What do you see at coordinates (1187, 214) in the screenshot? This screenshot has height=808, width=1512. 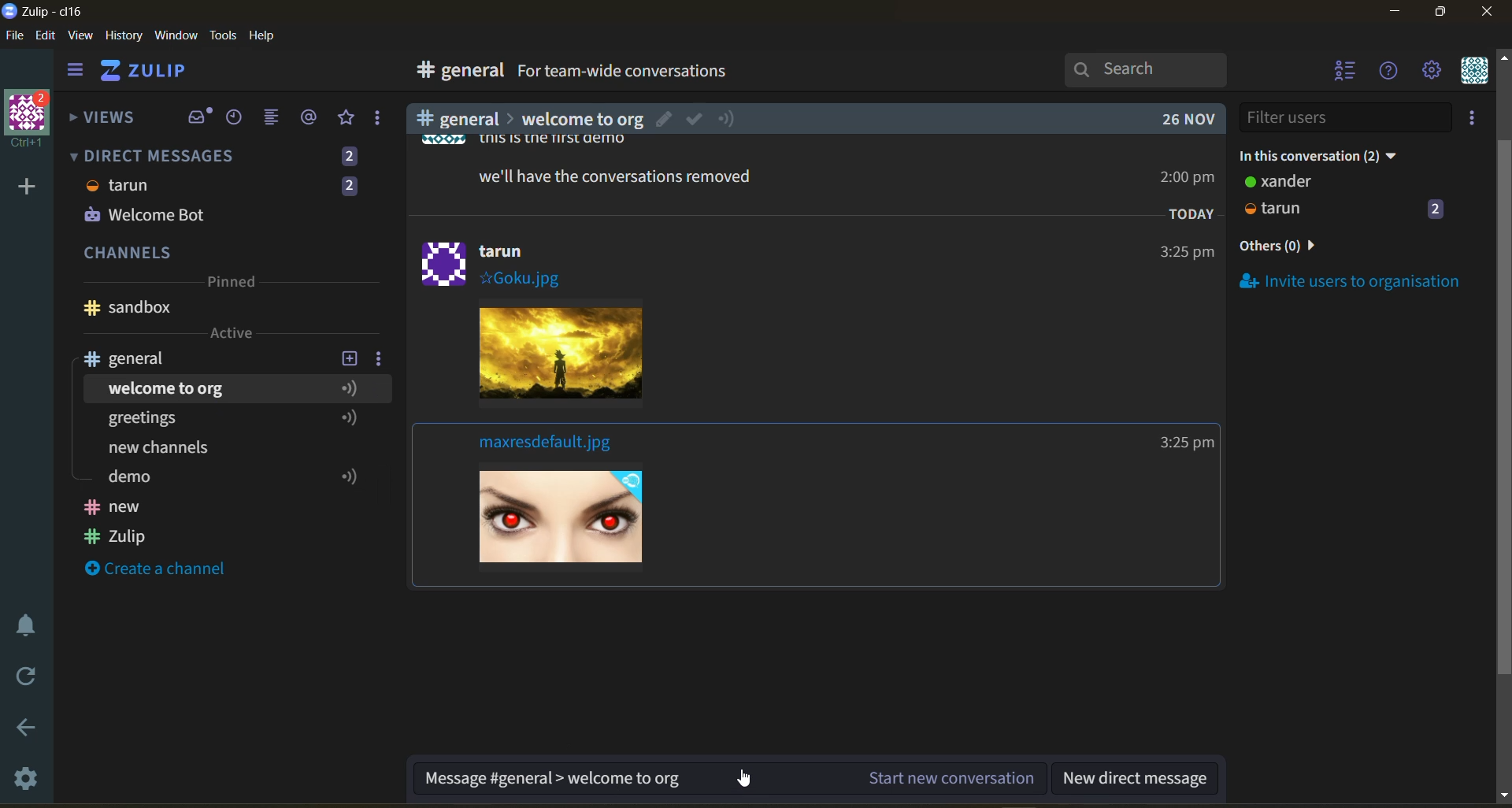 I see `` at bounding box center [1187, 214].